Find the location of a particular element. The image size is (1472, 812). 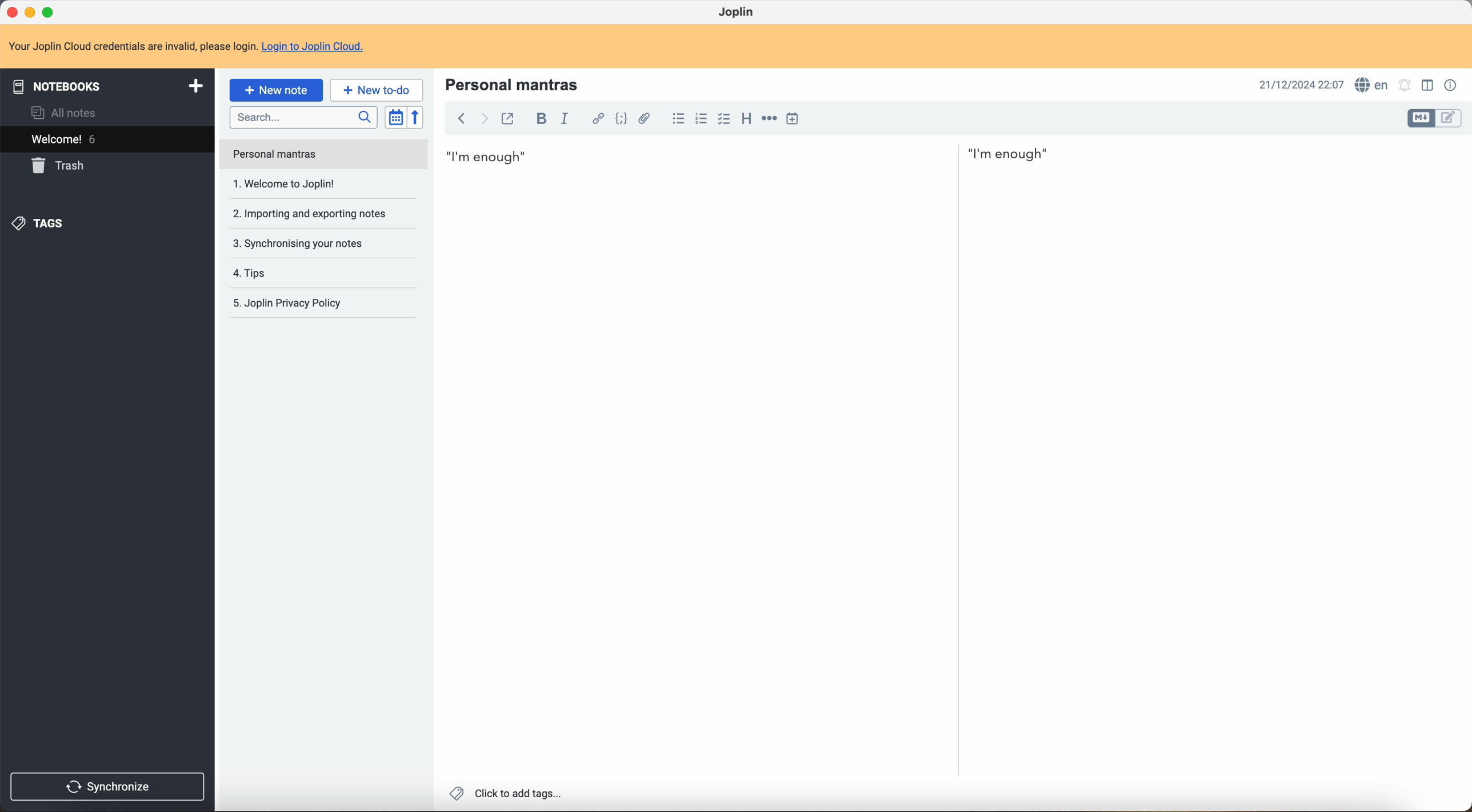

synchronise is located at coordinates (111, 786).